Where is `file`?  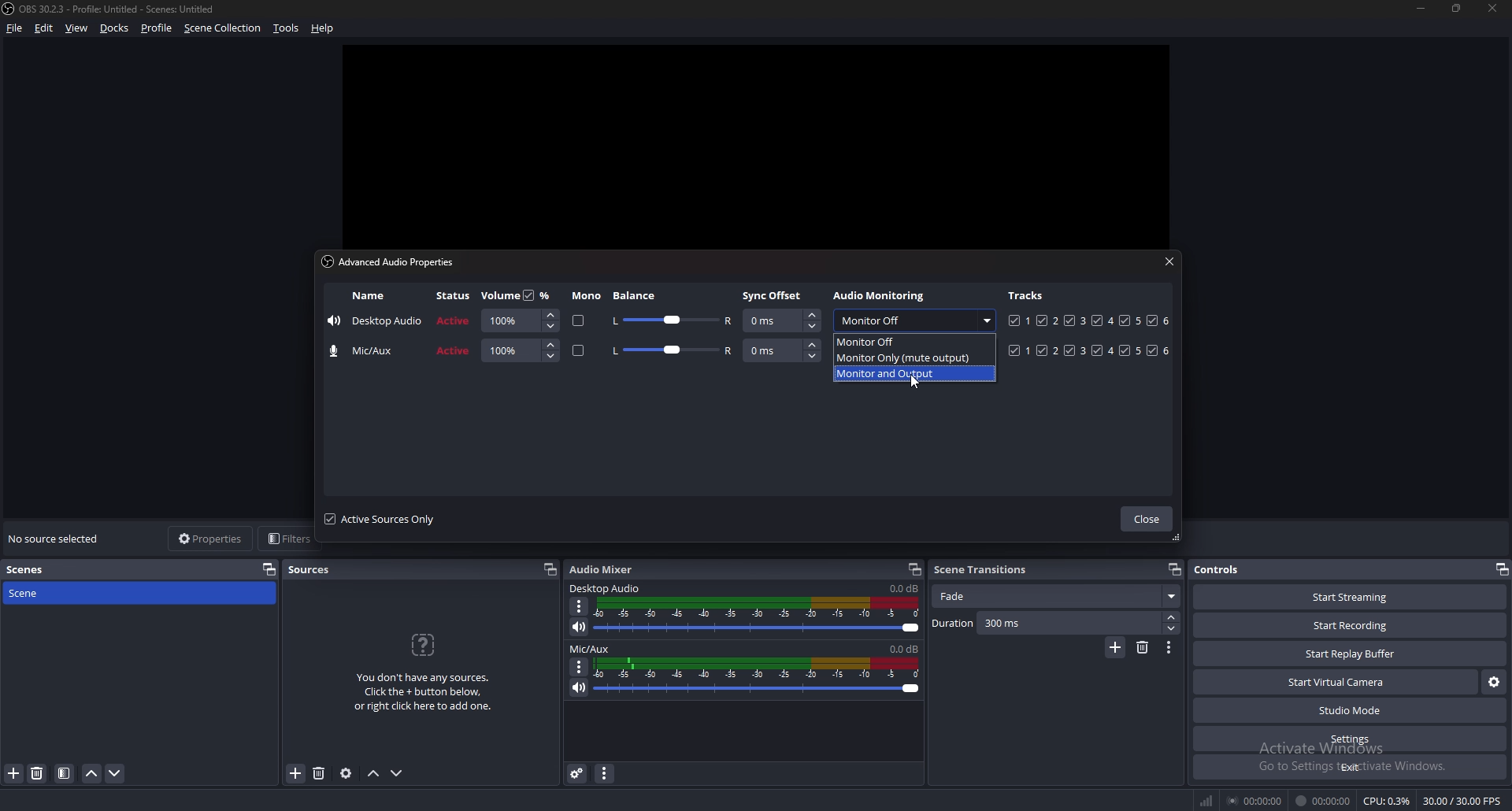
file is located at coordinates (15, 28).